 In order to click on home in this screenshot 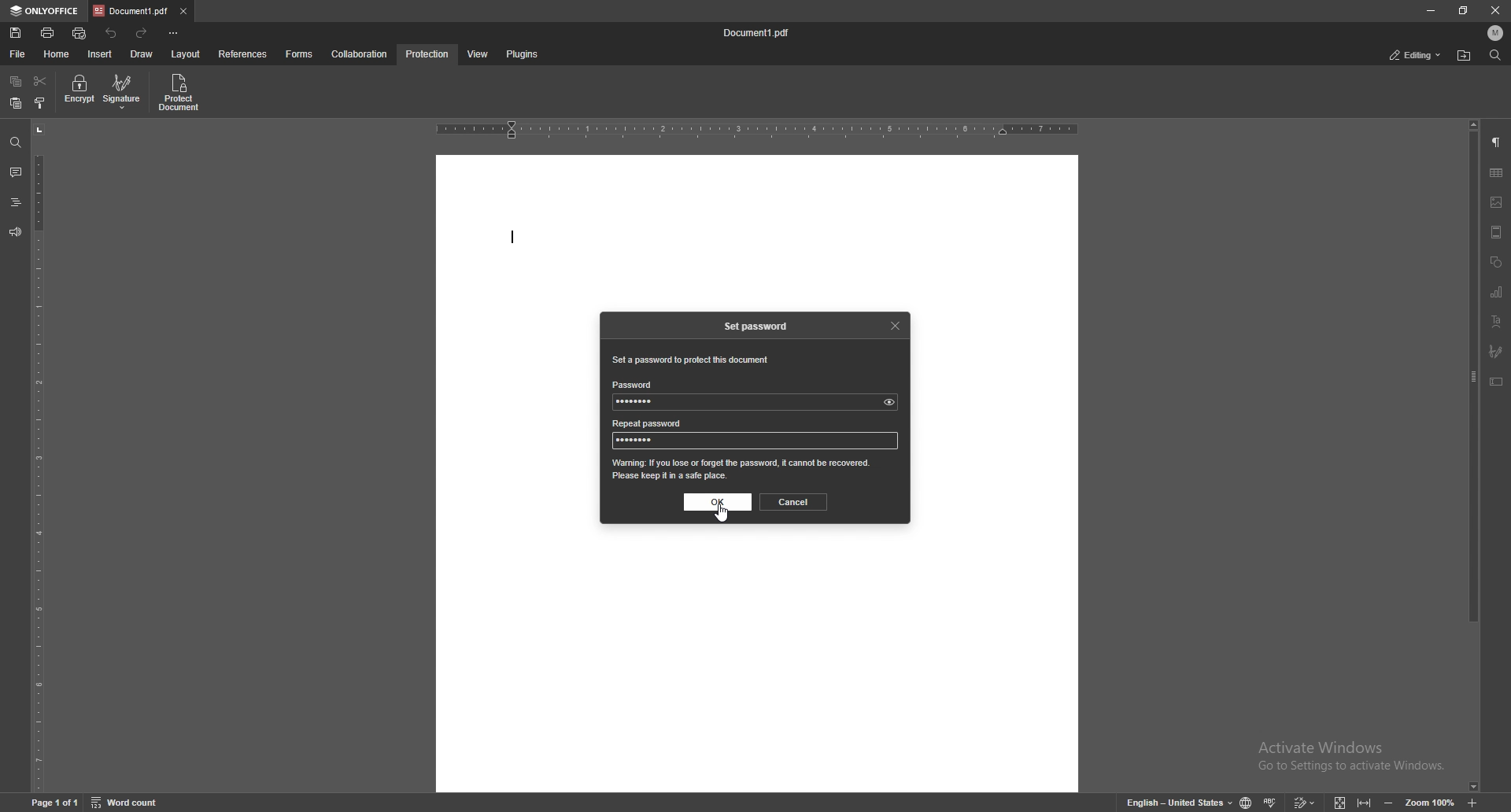, I will do `click(56, 54)`.